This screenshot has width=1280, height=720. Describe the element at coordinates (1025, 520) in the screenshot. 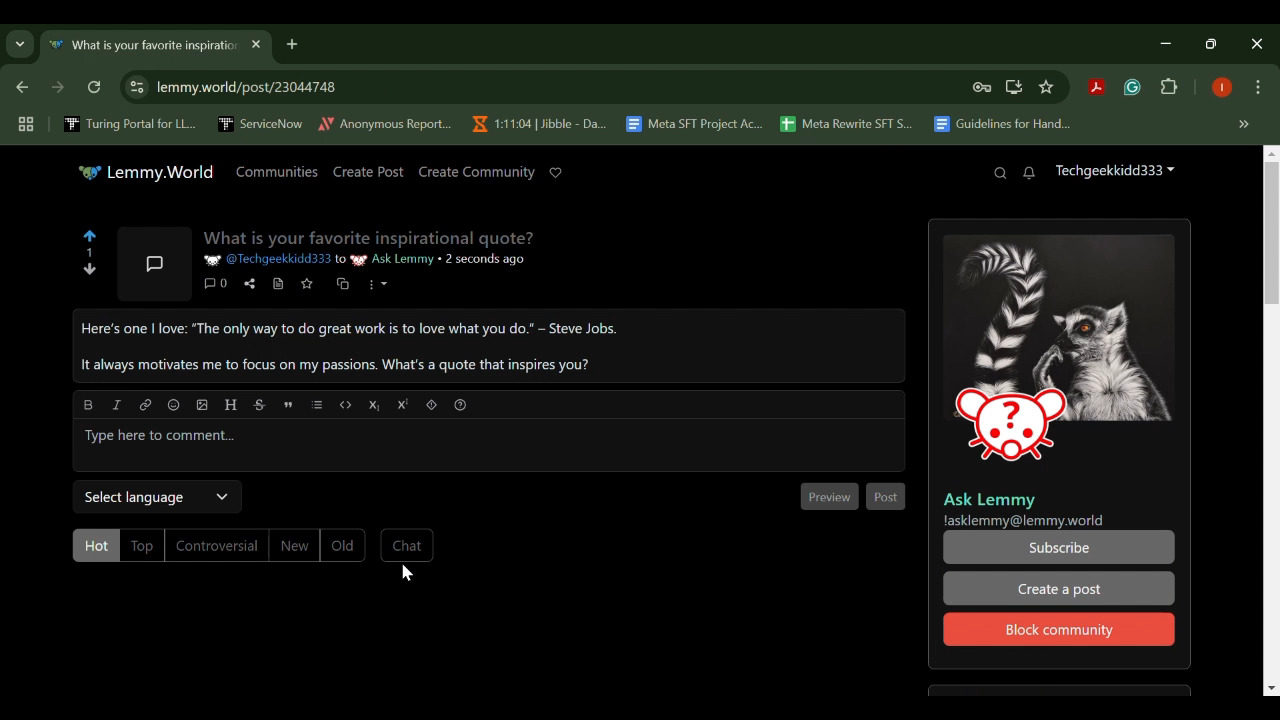

I see `!asklemmy@lemmy.world` at that location.